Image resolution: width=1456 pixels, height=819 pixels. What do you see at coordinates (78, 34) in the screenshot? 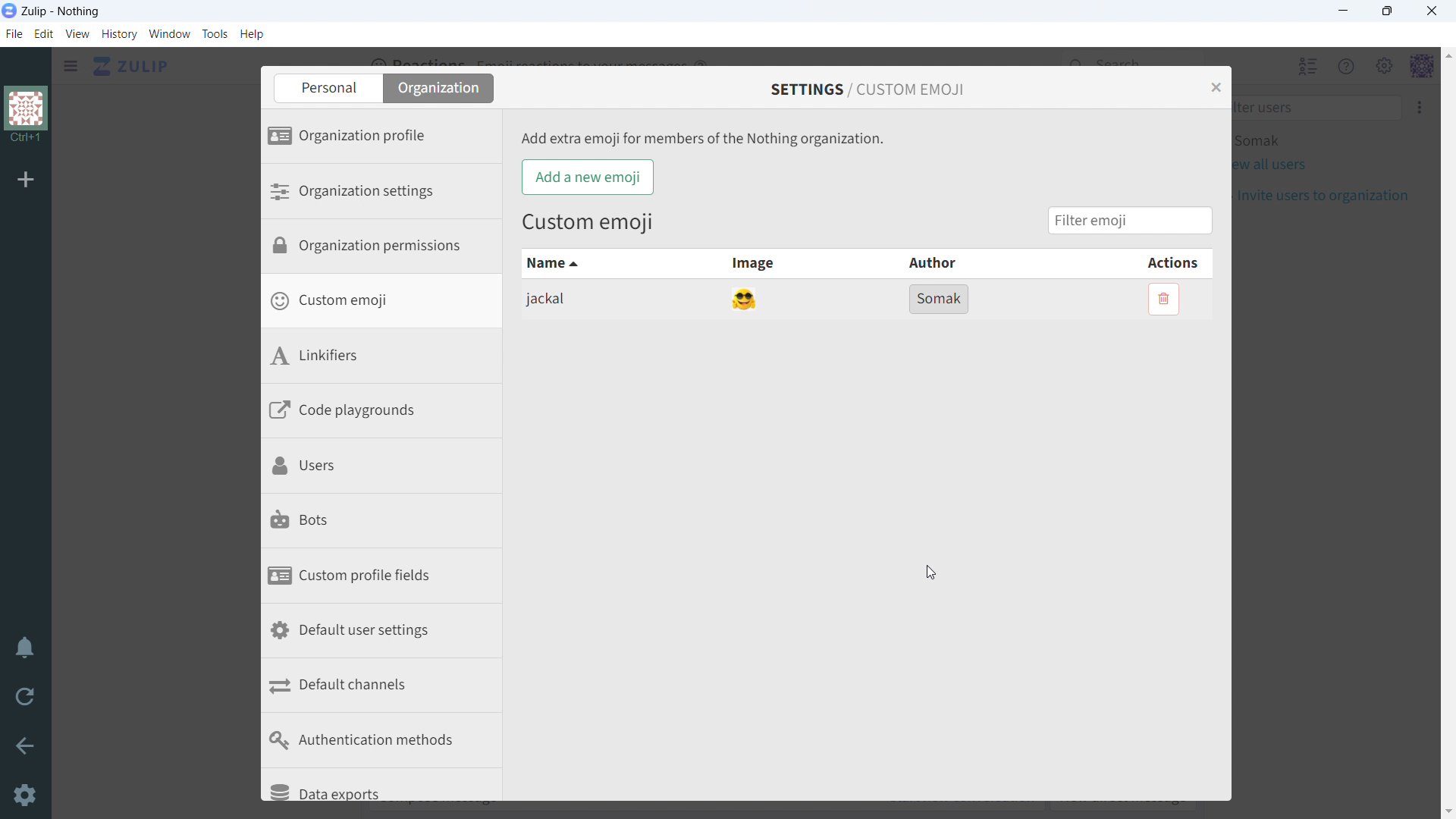
I see `view` at bounding box center [78, 34].